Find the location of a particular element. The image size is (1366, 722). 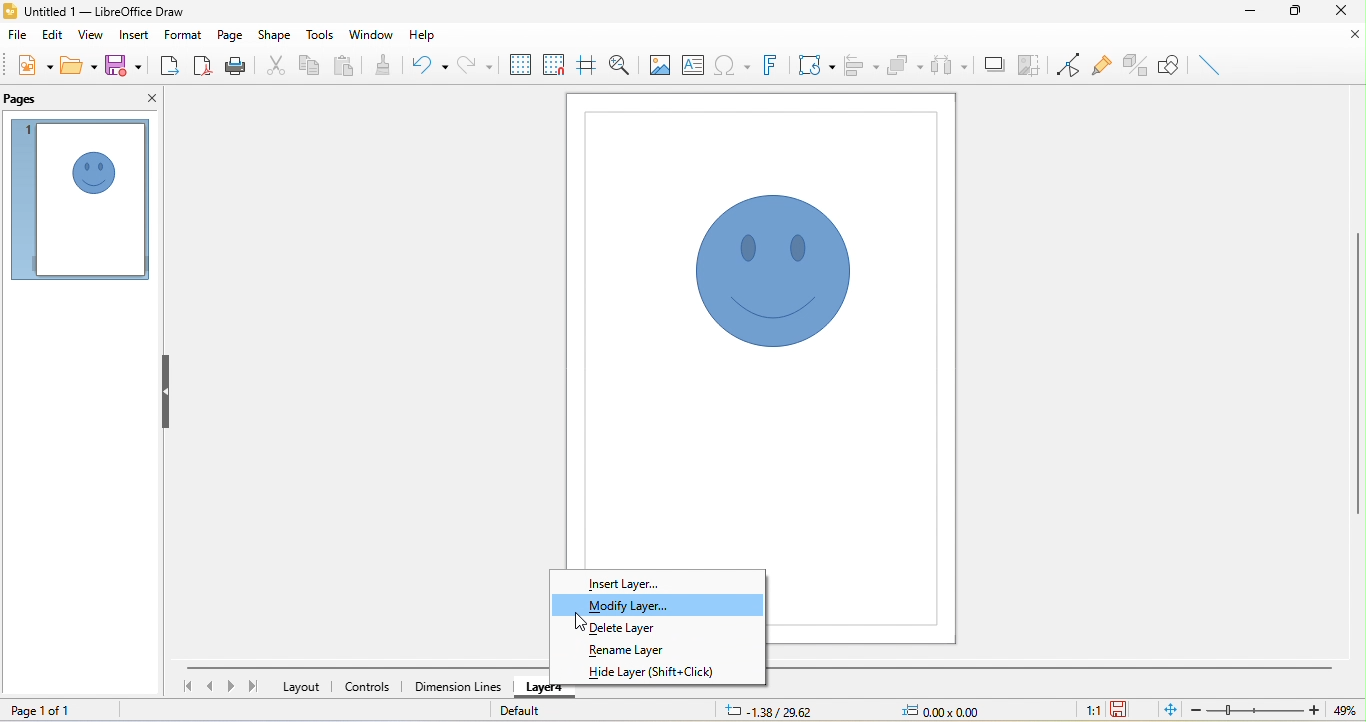

1:1 is located at coordinates (1092, 711).